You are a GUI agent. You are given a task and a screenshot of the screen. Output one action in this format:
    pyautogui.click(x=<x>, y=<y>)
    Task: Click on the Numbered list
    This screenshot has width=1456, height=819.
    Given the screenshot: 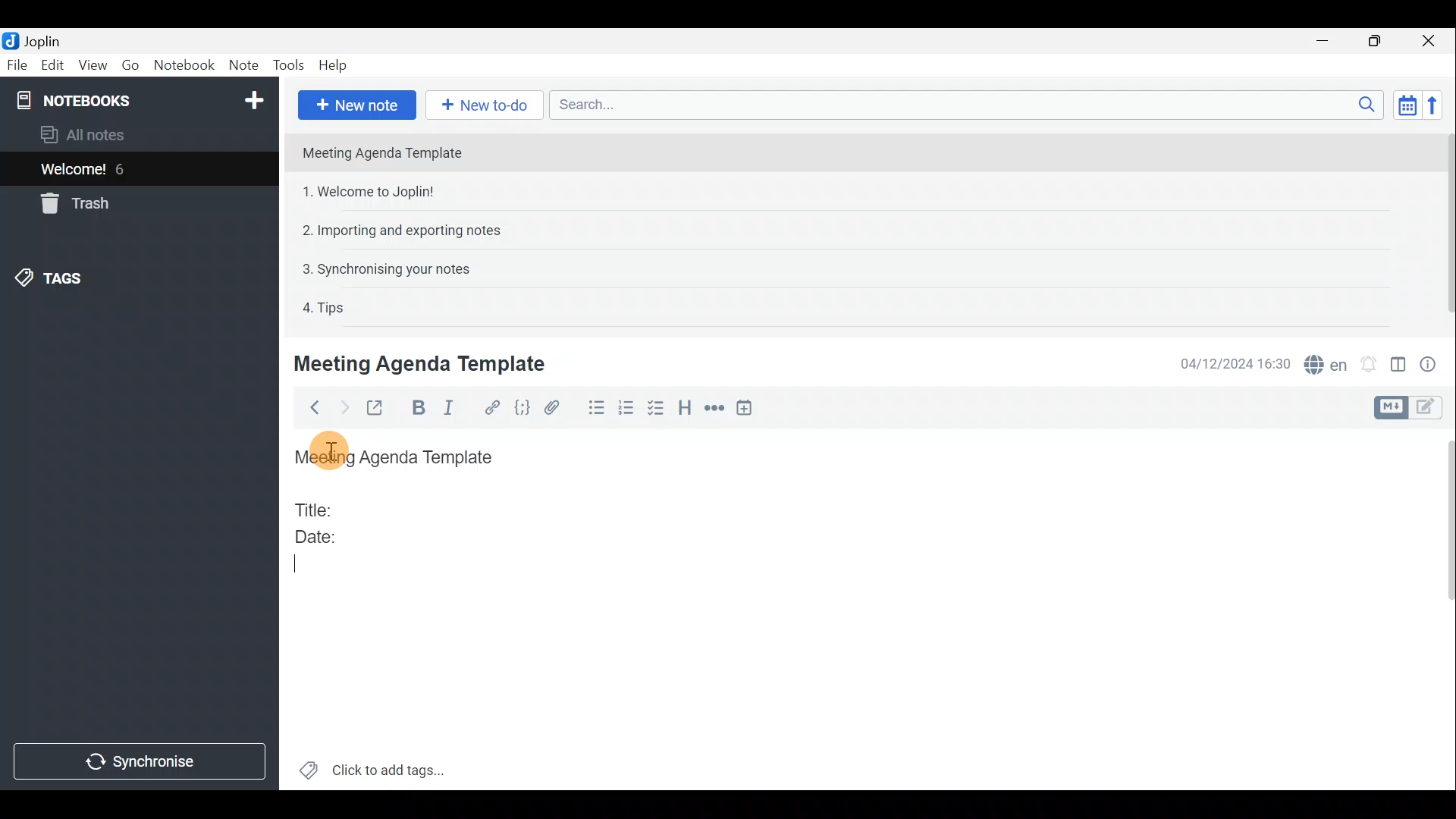 What is the action you would take?
    pyautogui.click(x=626, y=410)
    